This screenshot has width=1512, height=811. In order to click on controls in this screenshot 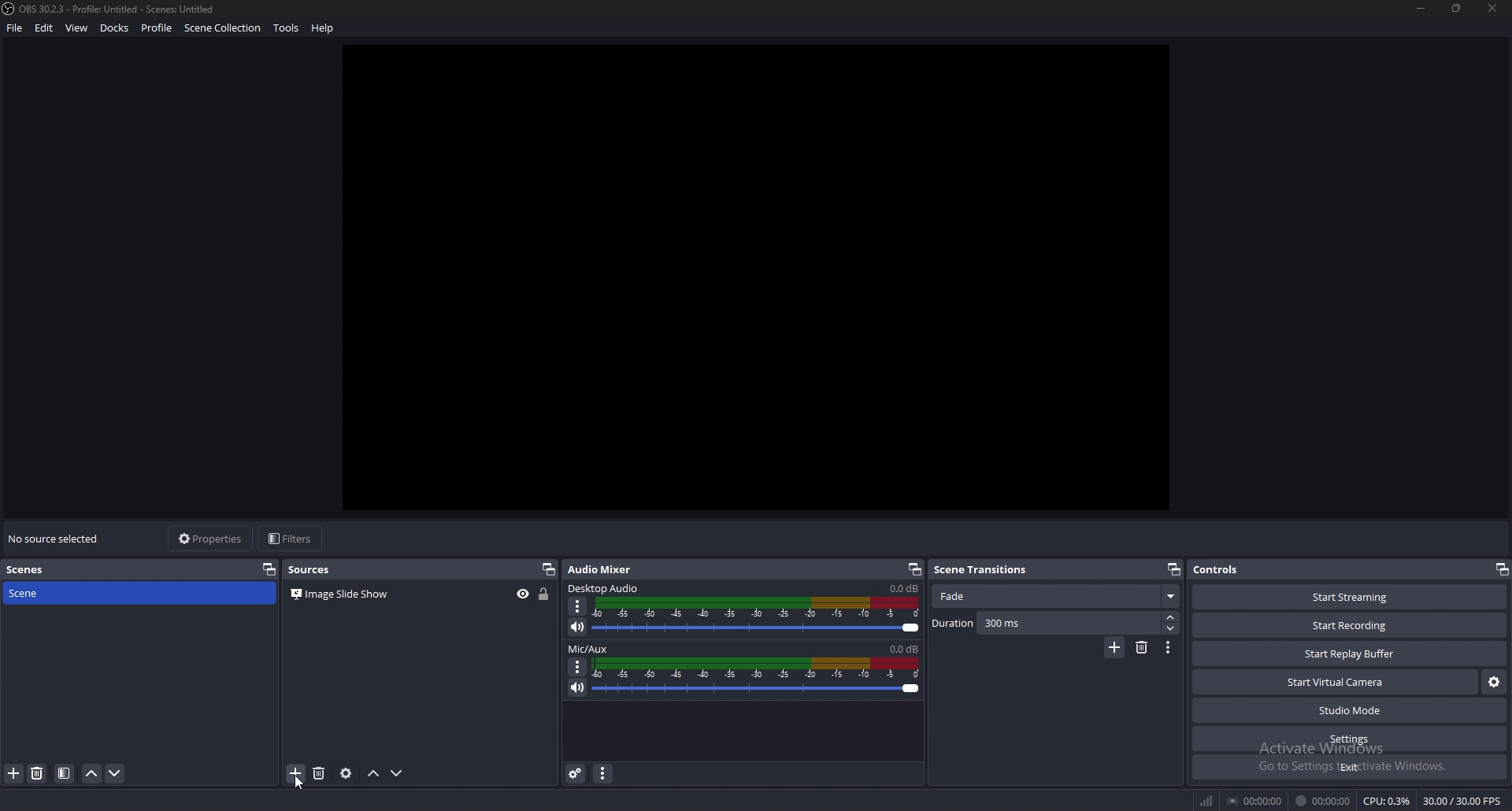, I will do `click(1237, 568)`.